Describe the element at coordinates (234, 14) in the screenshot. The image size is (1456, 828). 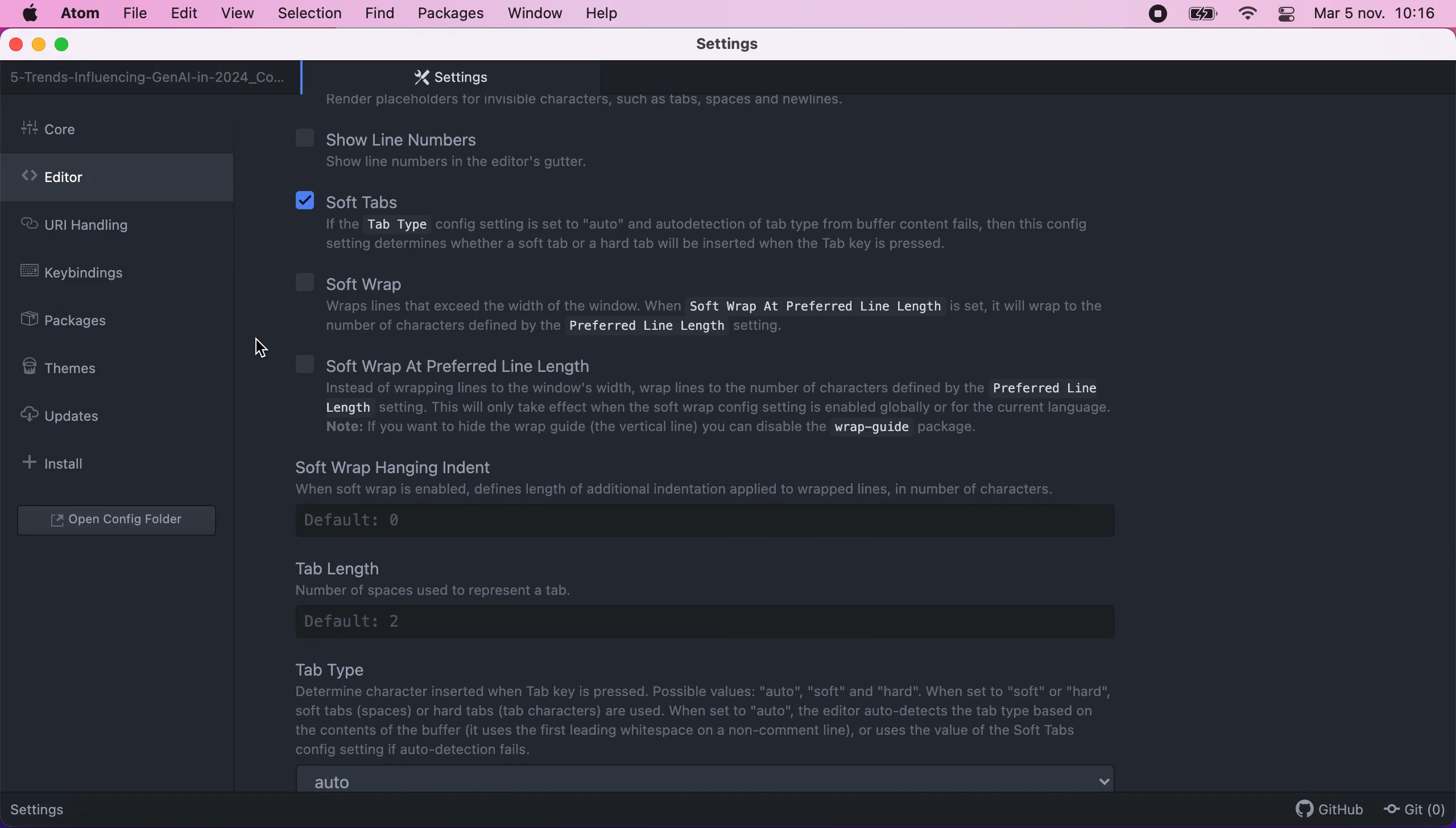
I see `view` at that location.